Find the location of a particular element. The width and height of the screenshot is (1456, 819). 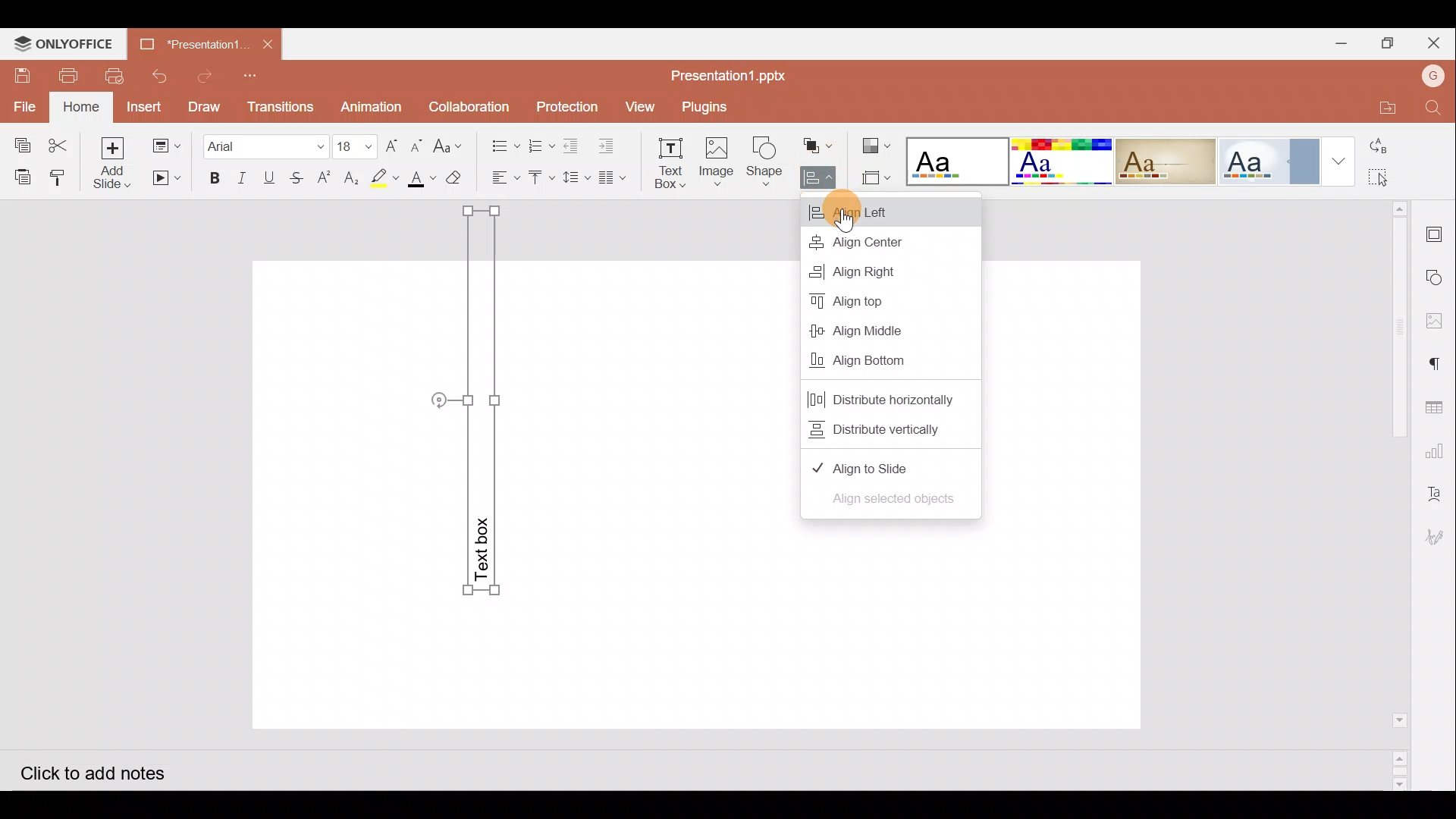

Cut is located at coordinates (63, 142).